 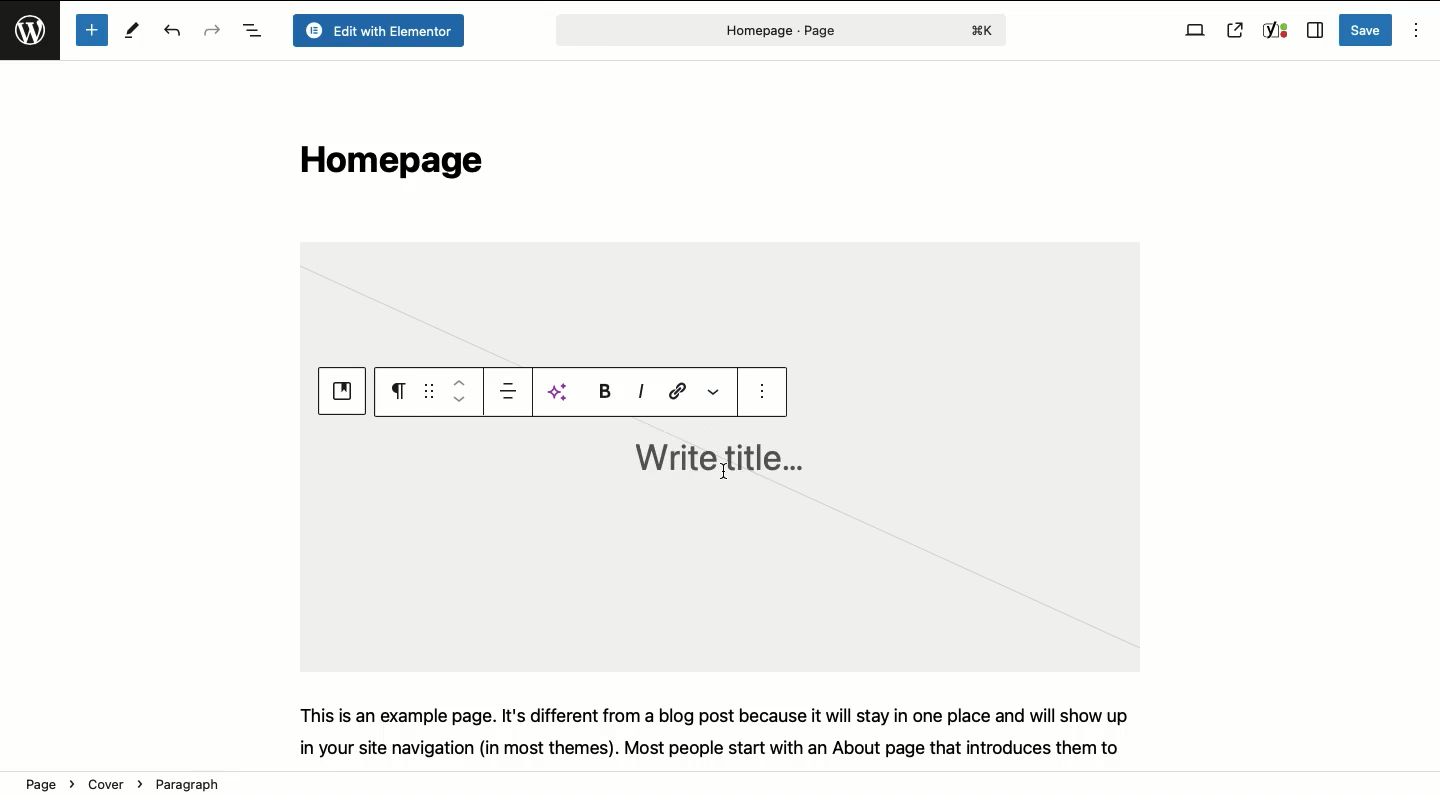 What do you see at coordinates (717, 390) in the screenshot?
I see `More` at bounding box center [717, 390].